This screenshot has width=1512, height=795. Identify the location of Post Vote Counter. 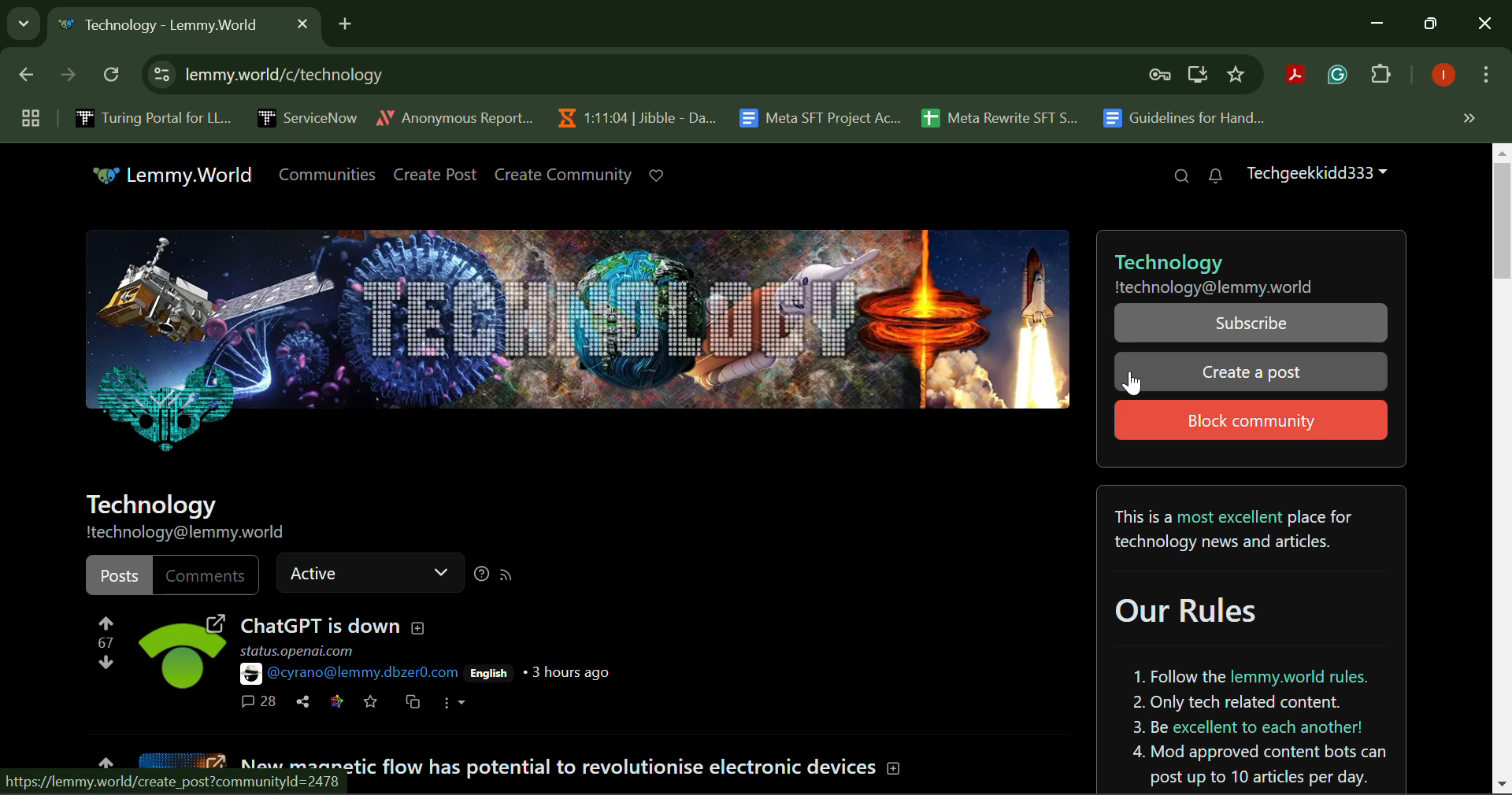
(109, 642).